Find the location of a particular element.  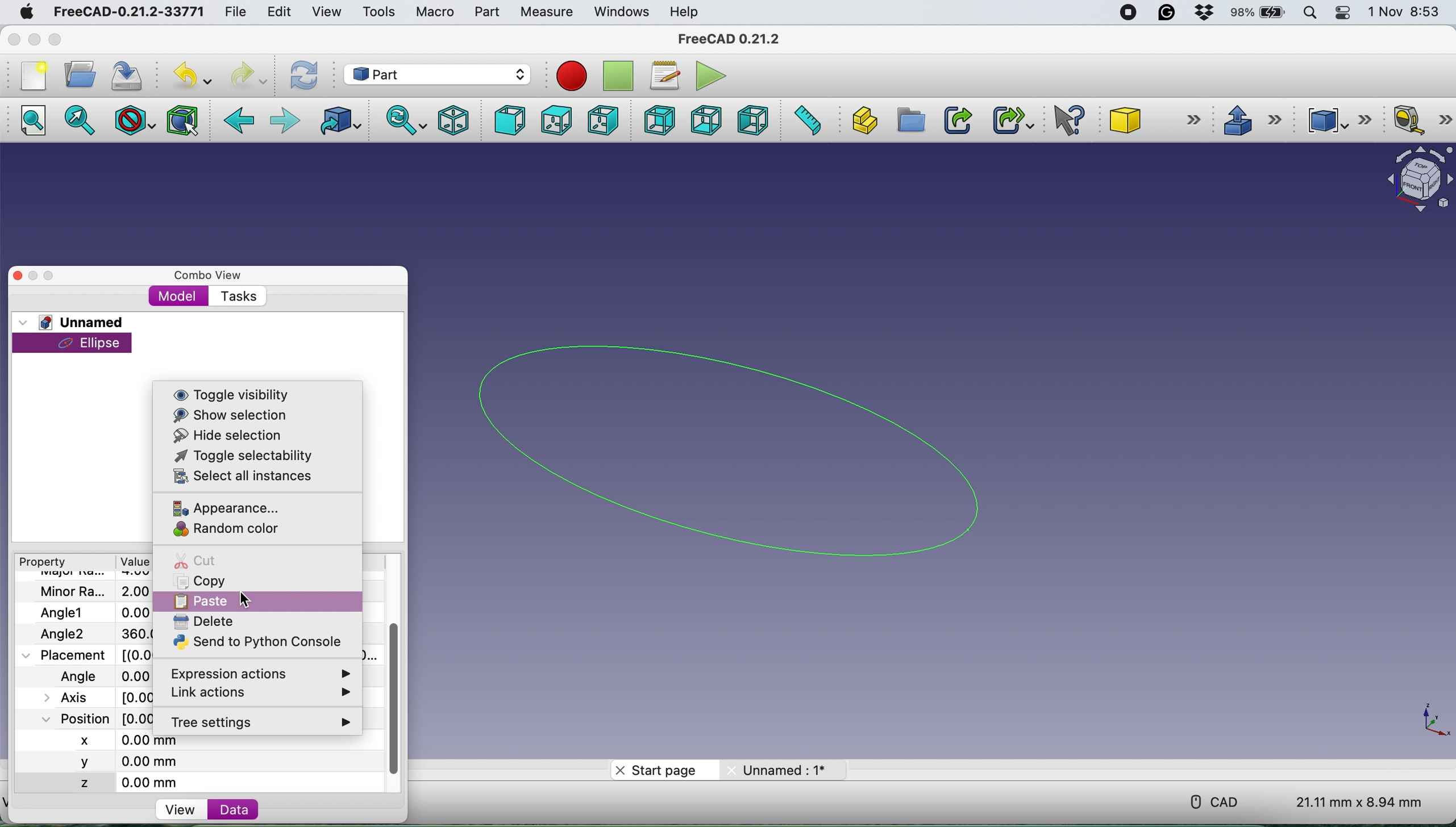

freecad is located at coordinates (727, 40).